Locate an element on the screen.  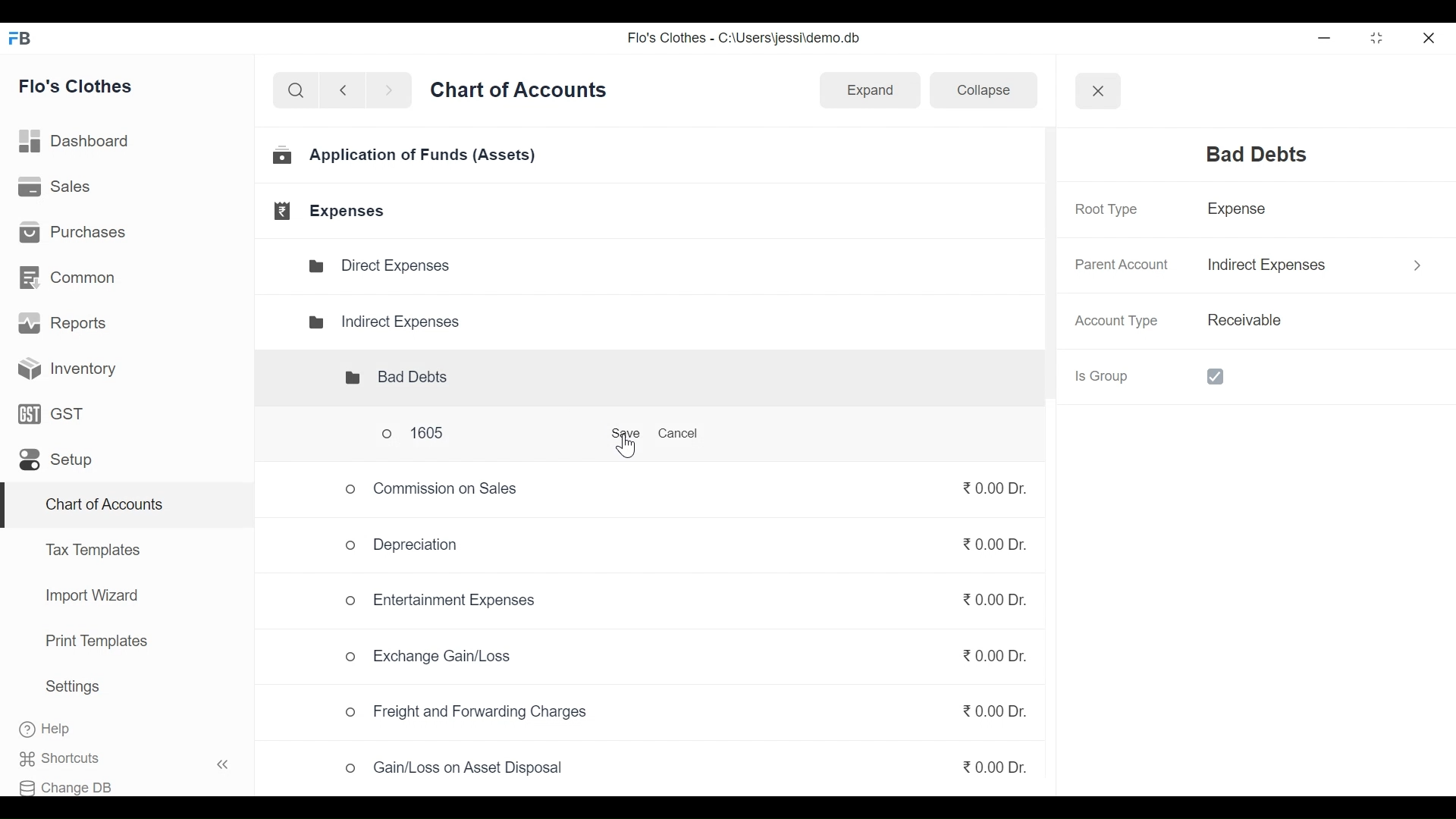
Chart of Accounts is located at coordinates (101, 507).